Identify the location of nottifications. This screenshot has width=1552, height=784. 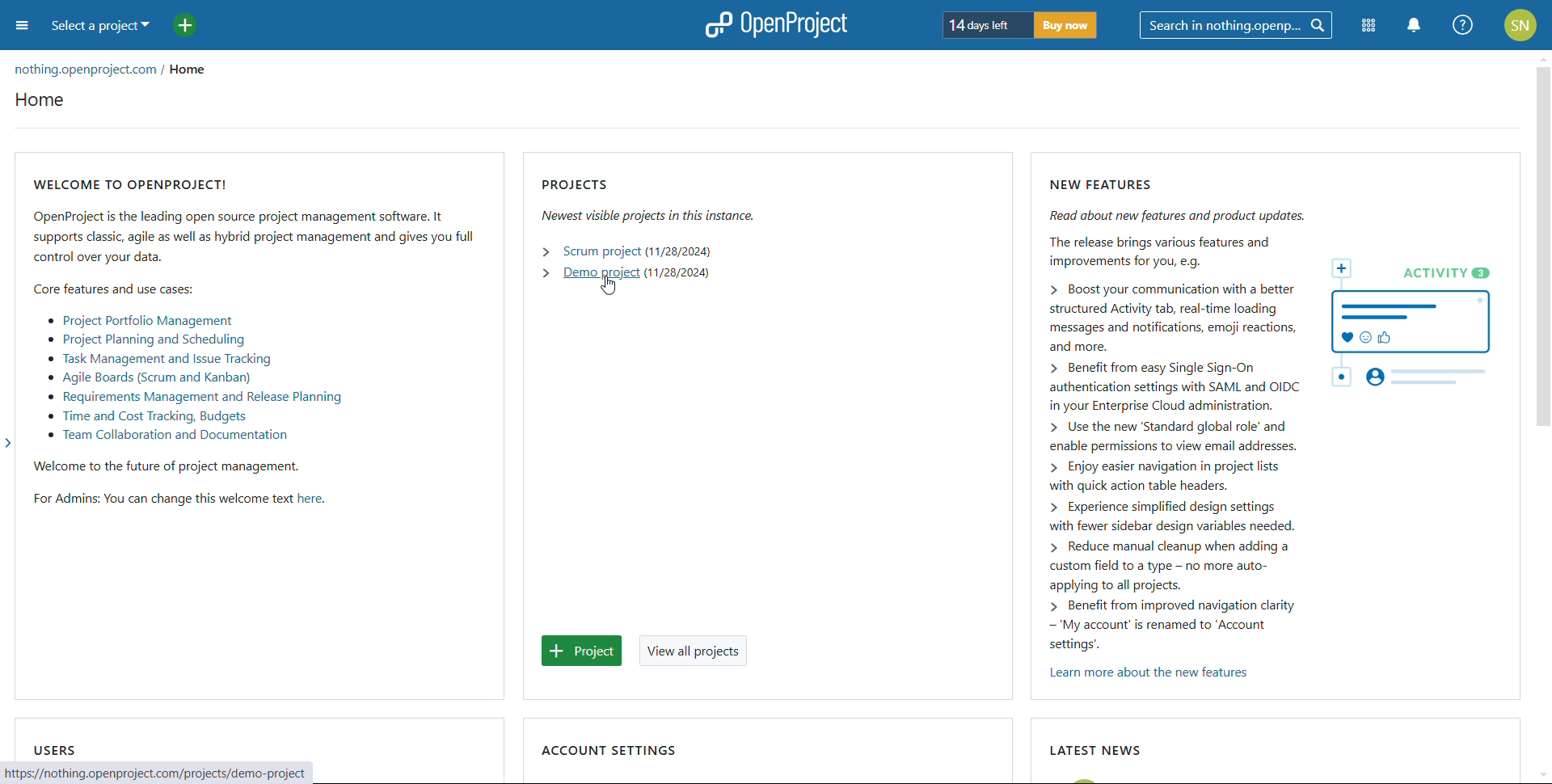
(1415, 27).